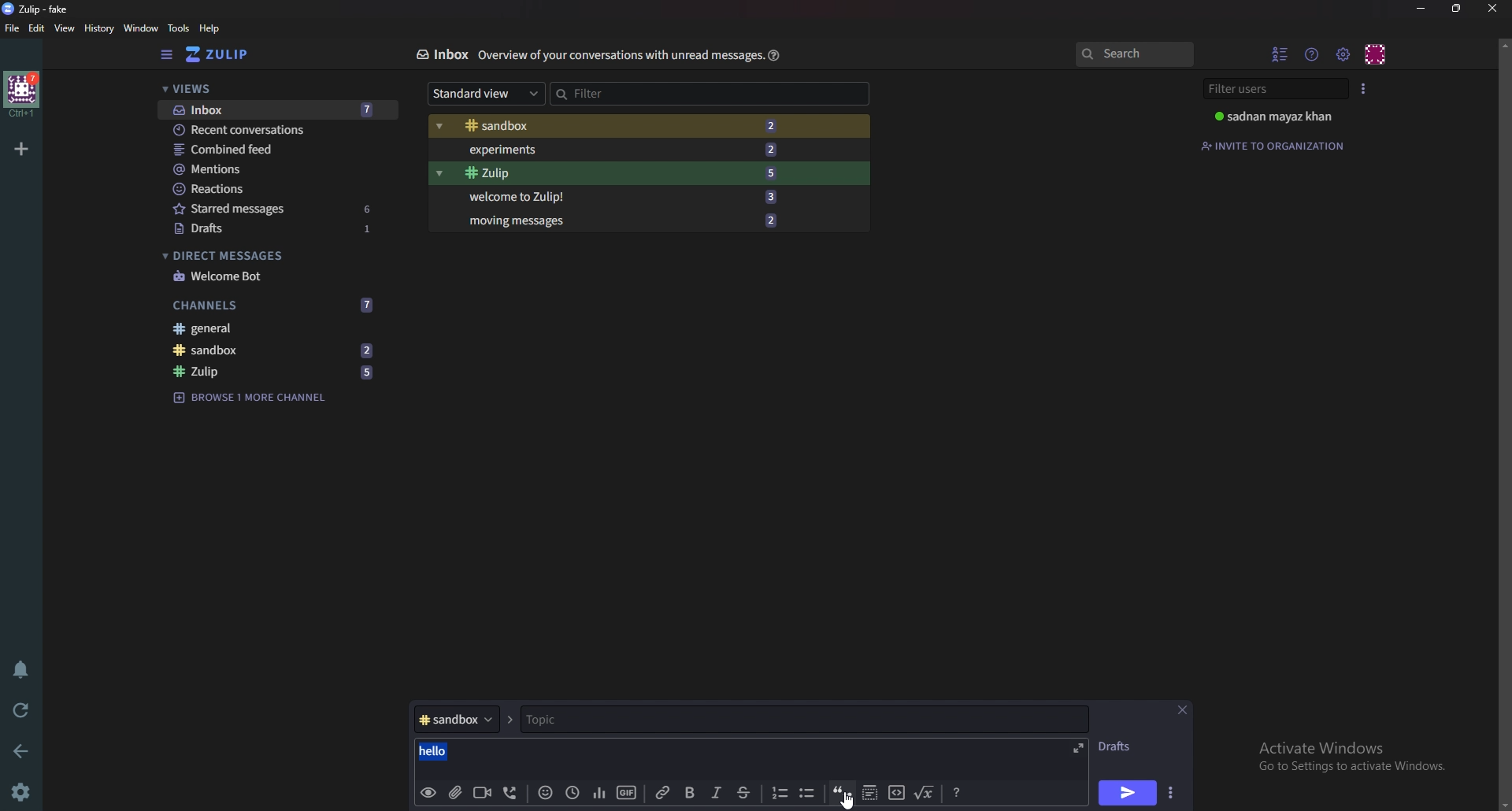 Image resolution: width=1512 pixels, height=811 pixels. What do you see at coordinates (377, 233) in the screenshot?
I see `1` at bounding box center [377, 233].